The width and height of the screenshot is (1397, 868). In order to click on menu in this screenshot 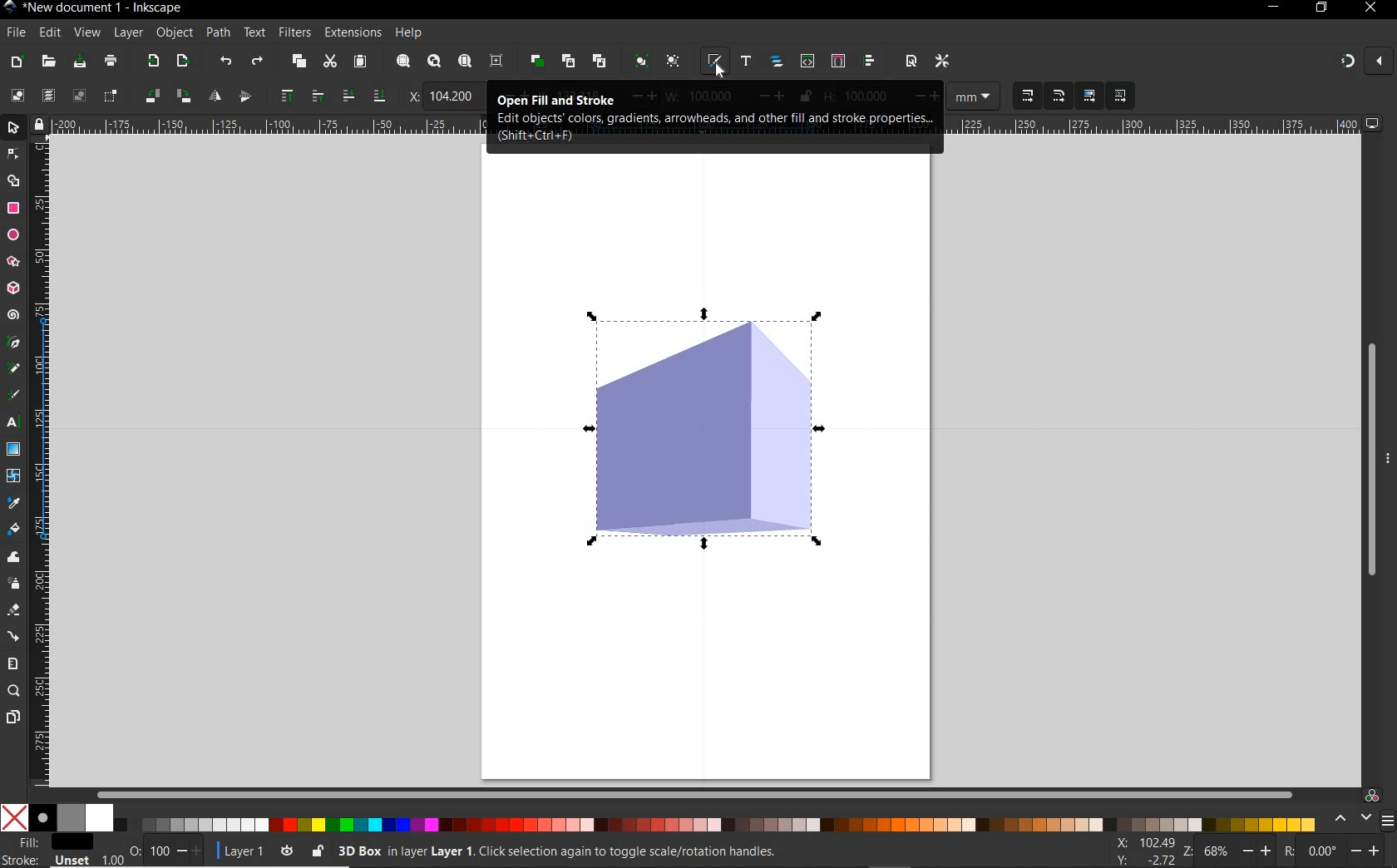, I will do `click(1388, 820)`.